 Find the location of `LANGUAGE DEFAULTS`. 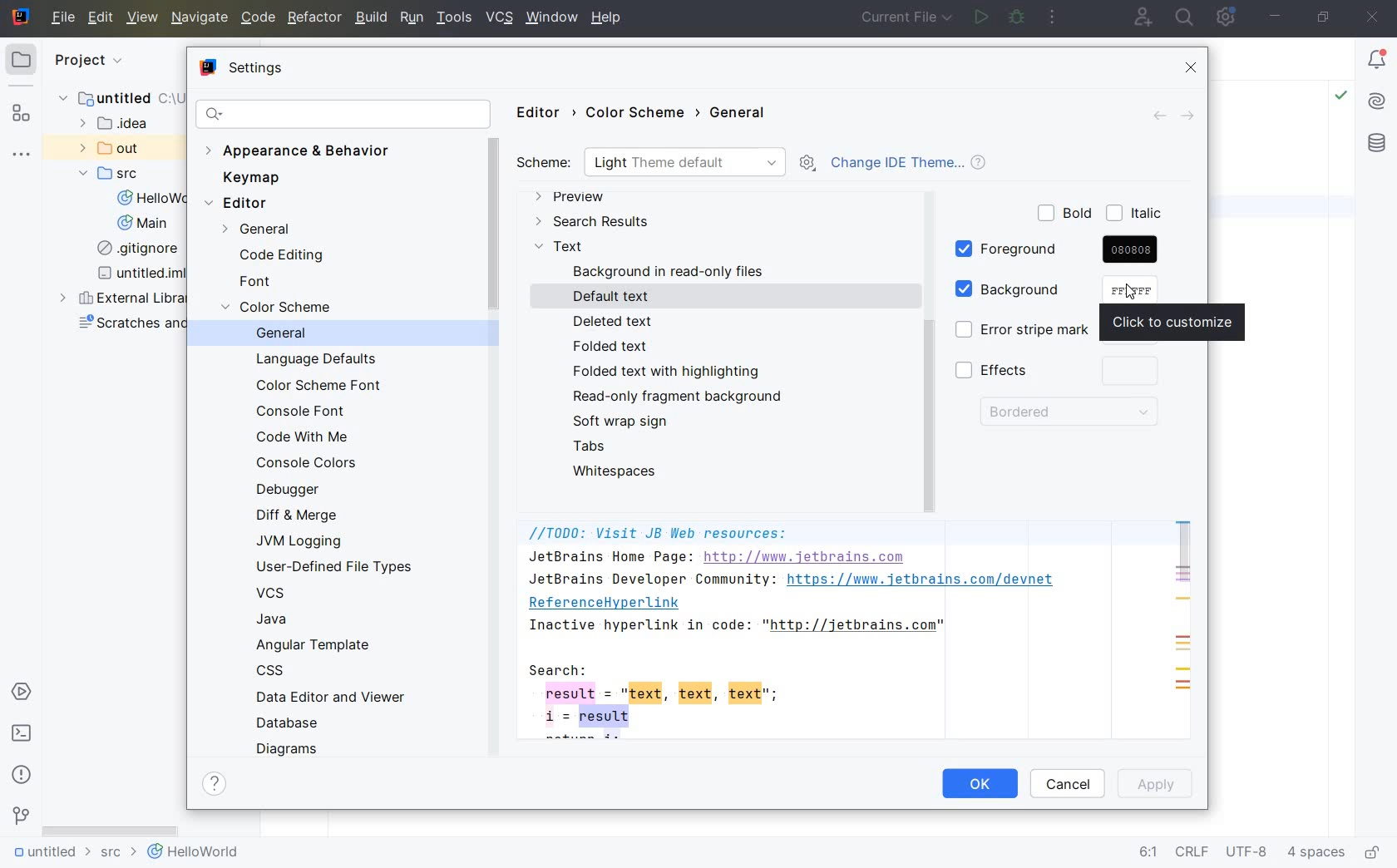

LANGUAGE DEFAULTS is located at coordinates (316, 361).